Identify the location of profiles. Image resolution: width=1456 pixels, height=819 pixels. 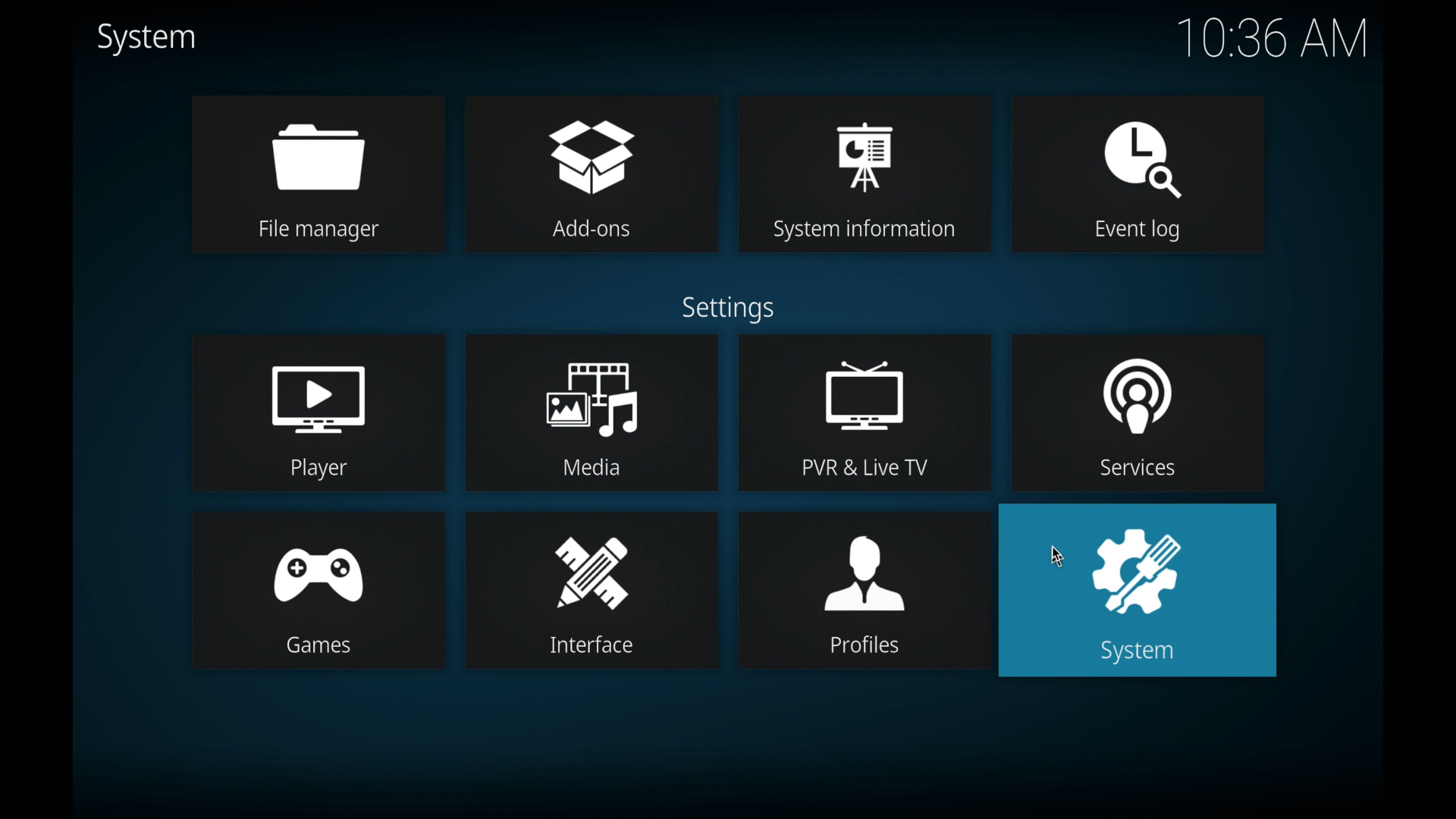
(861, 591).